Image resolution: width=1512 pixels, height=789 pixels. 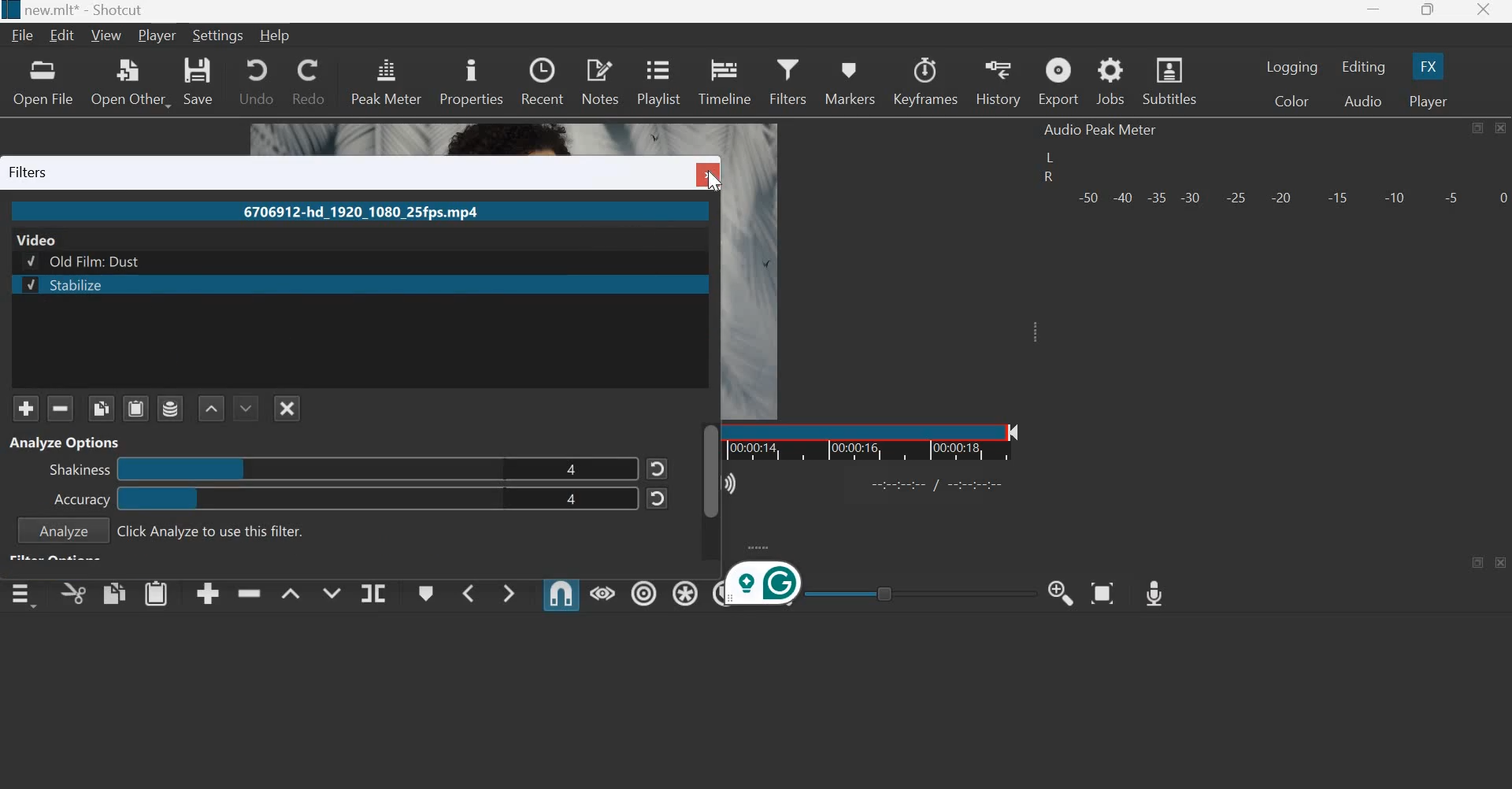 What do you see at coordinates (1364, 100) in the screenshot?
I see `Audio` at bounding box center [1364, 100].